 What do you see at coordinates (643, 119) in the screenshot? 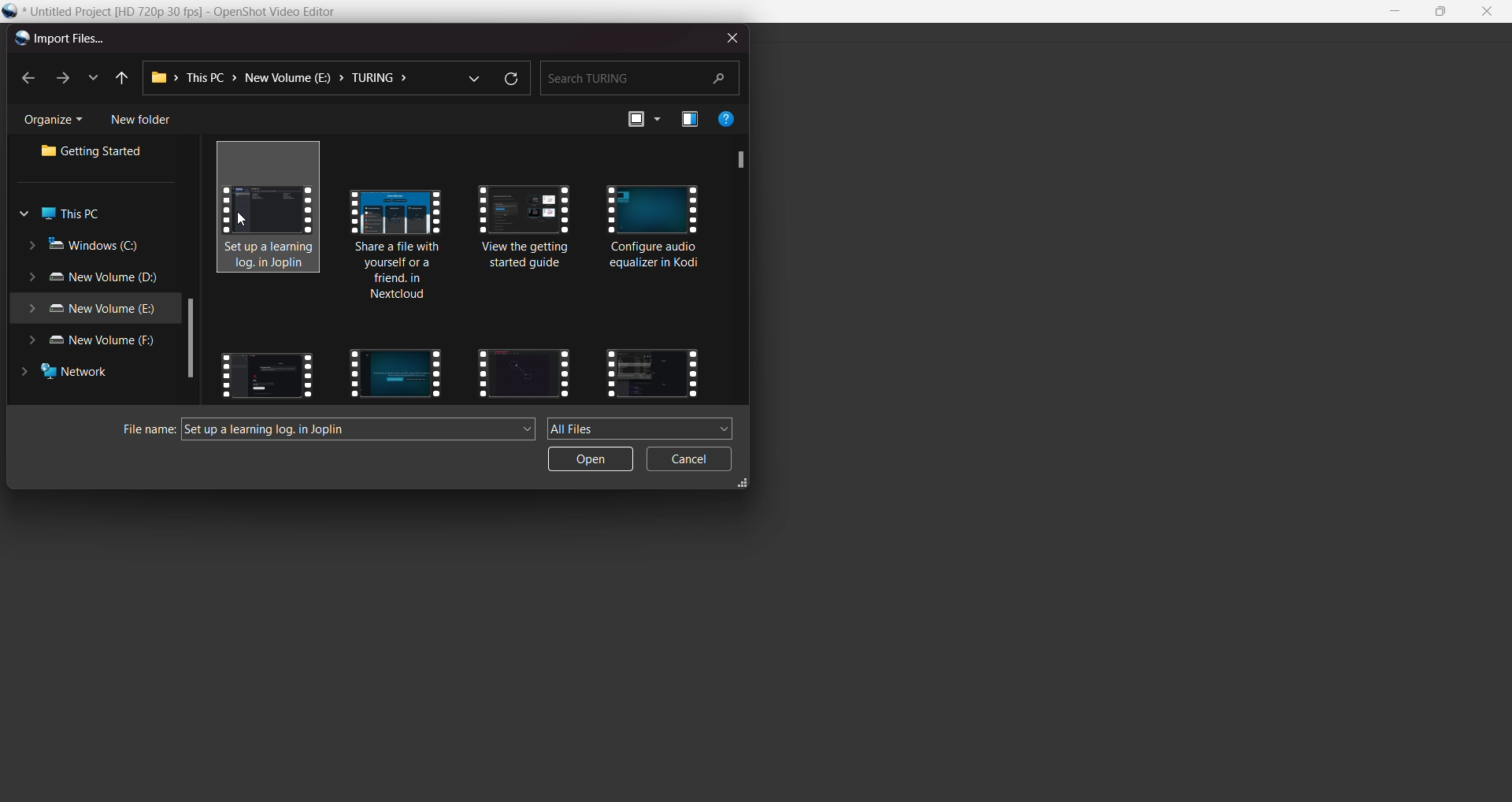
I see `view` at bounding box center [643, 119].